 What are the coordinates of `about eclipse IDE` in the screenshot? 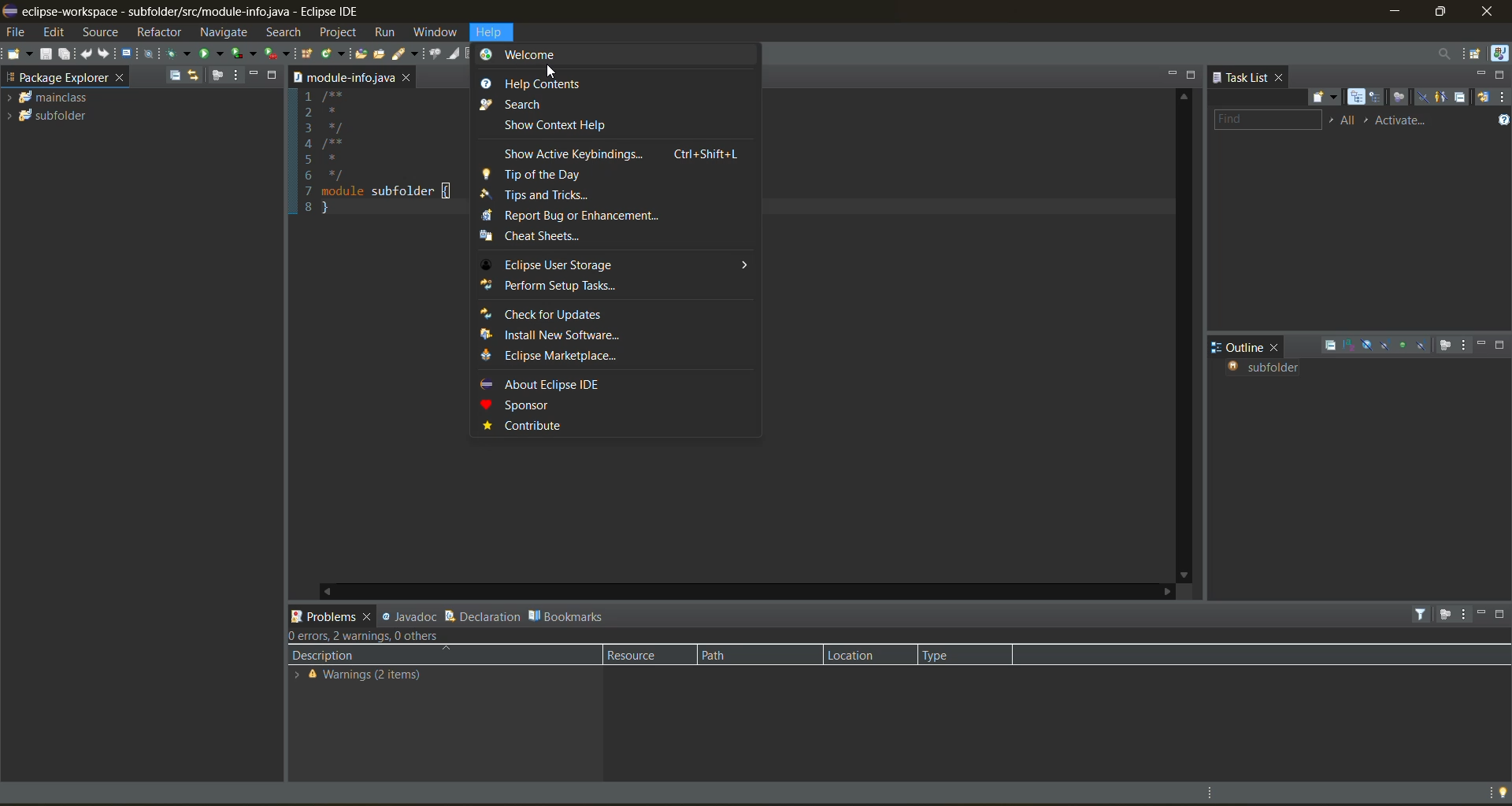 It's located at (572, 383).